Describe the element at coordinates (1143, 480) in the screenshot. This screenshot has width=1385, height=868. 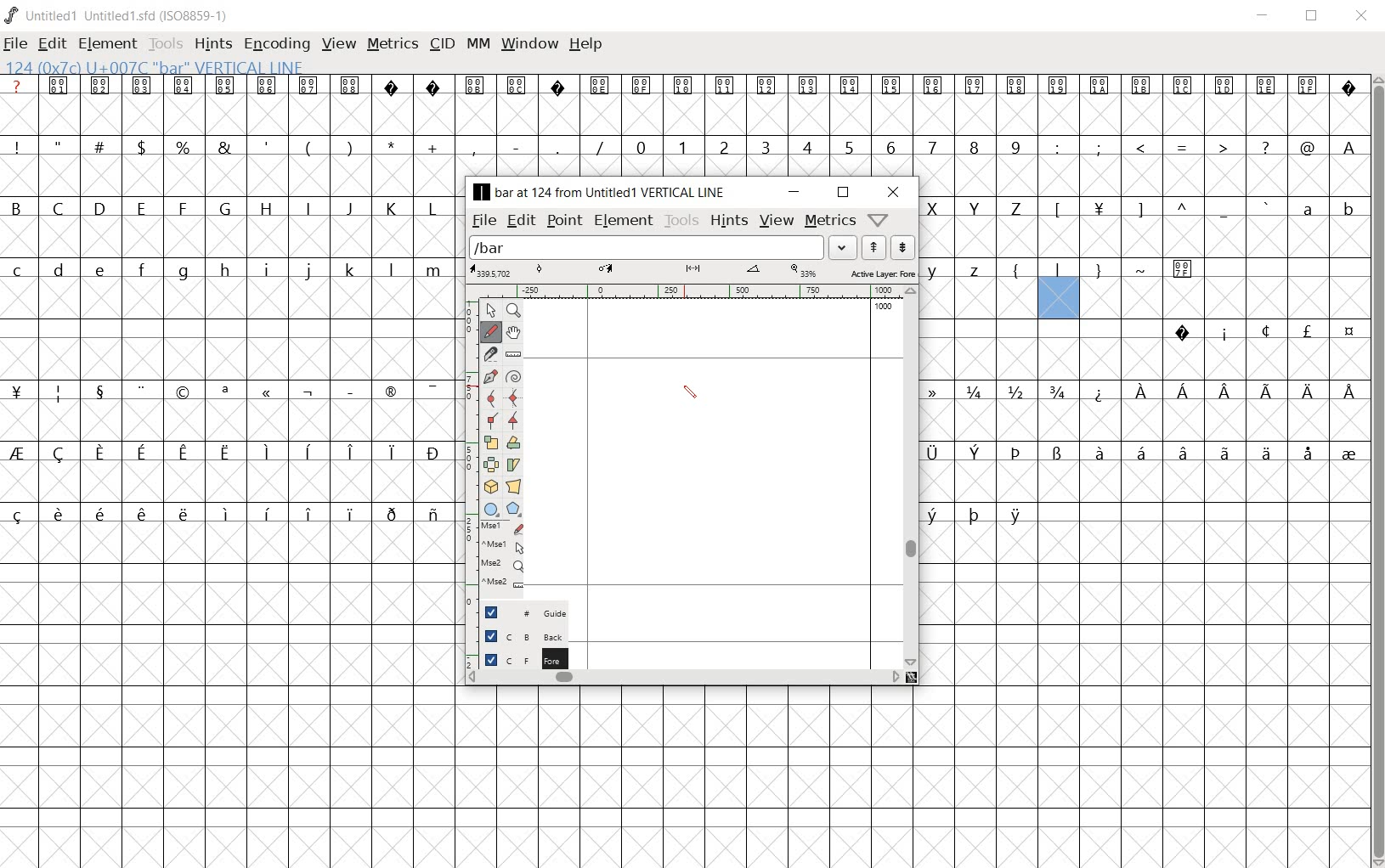
I see `empty cells` at that location.